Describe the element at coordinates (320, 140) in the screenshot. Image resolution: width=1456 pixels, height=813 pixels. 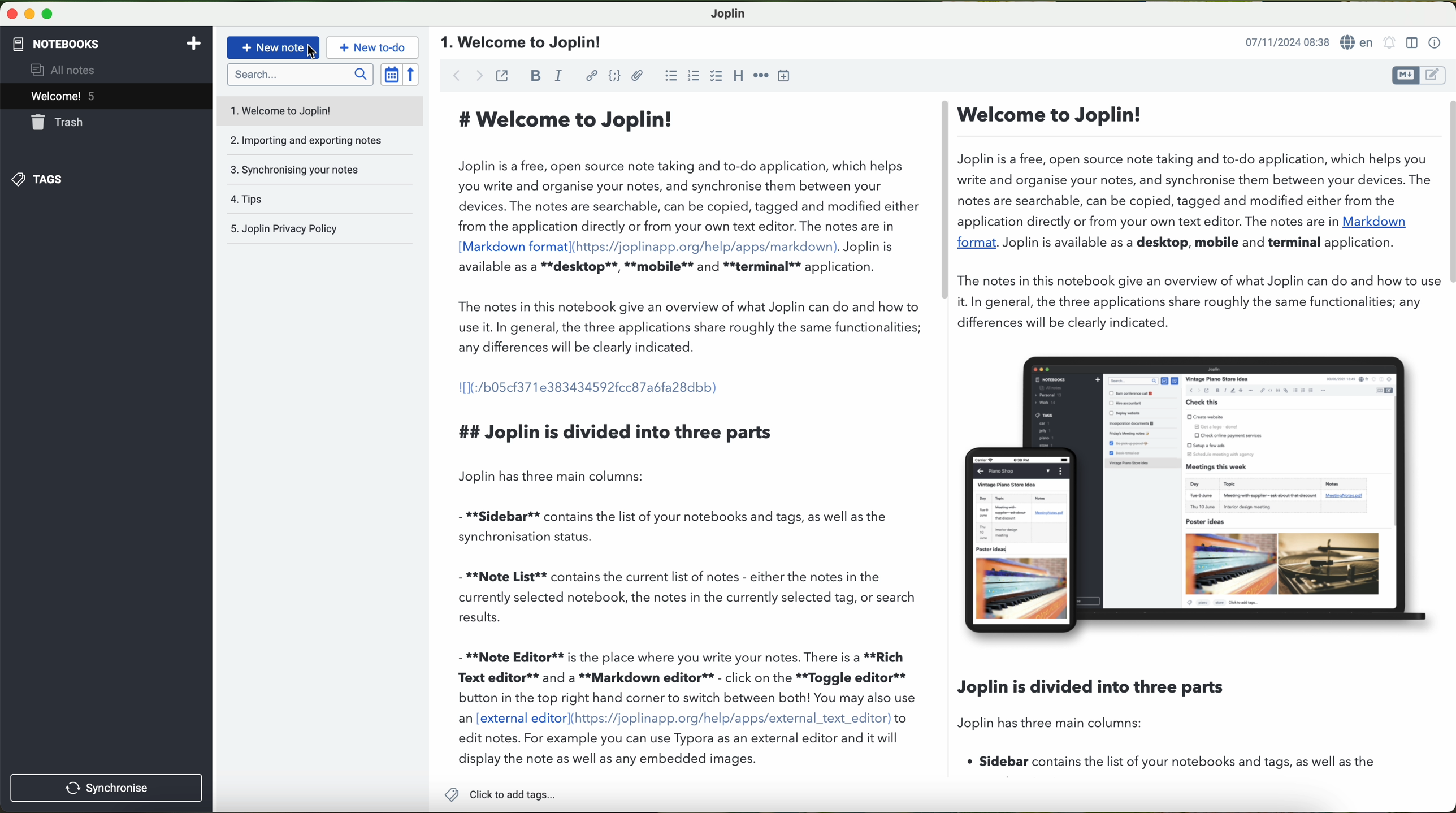
I see `importing and exporting notes` at that location.